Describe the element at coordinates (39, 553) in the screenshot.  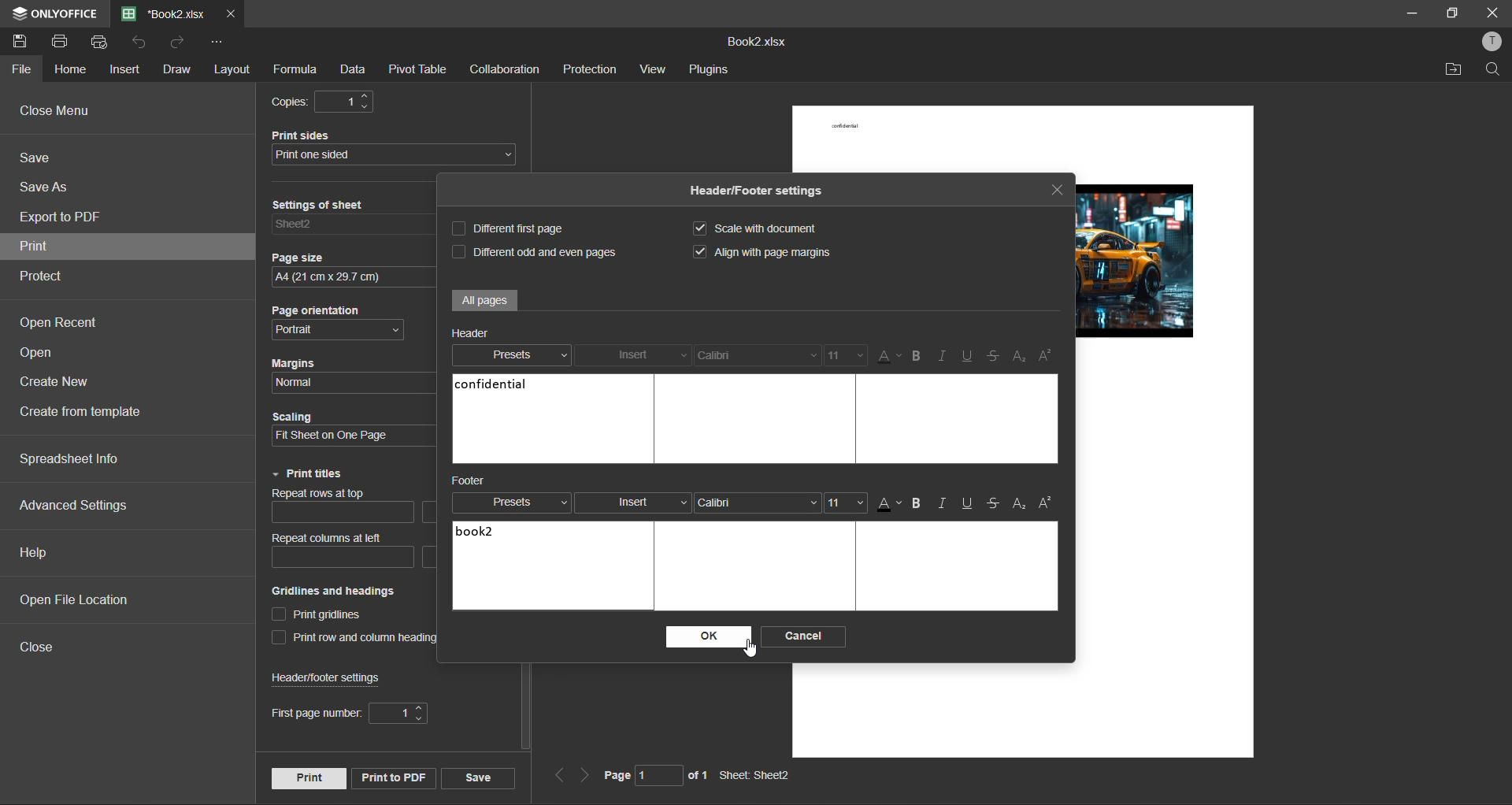
I see `help` at that location.